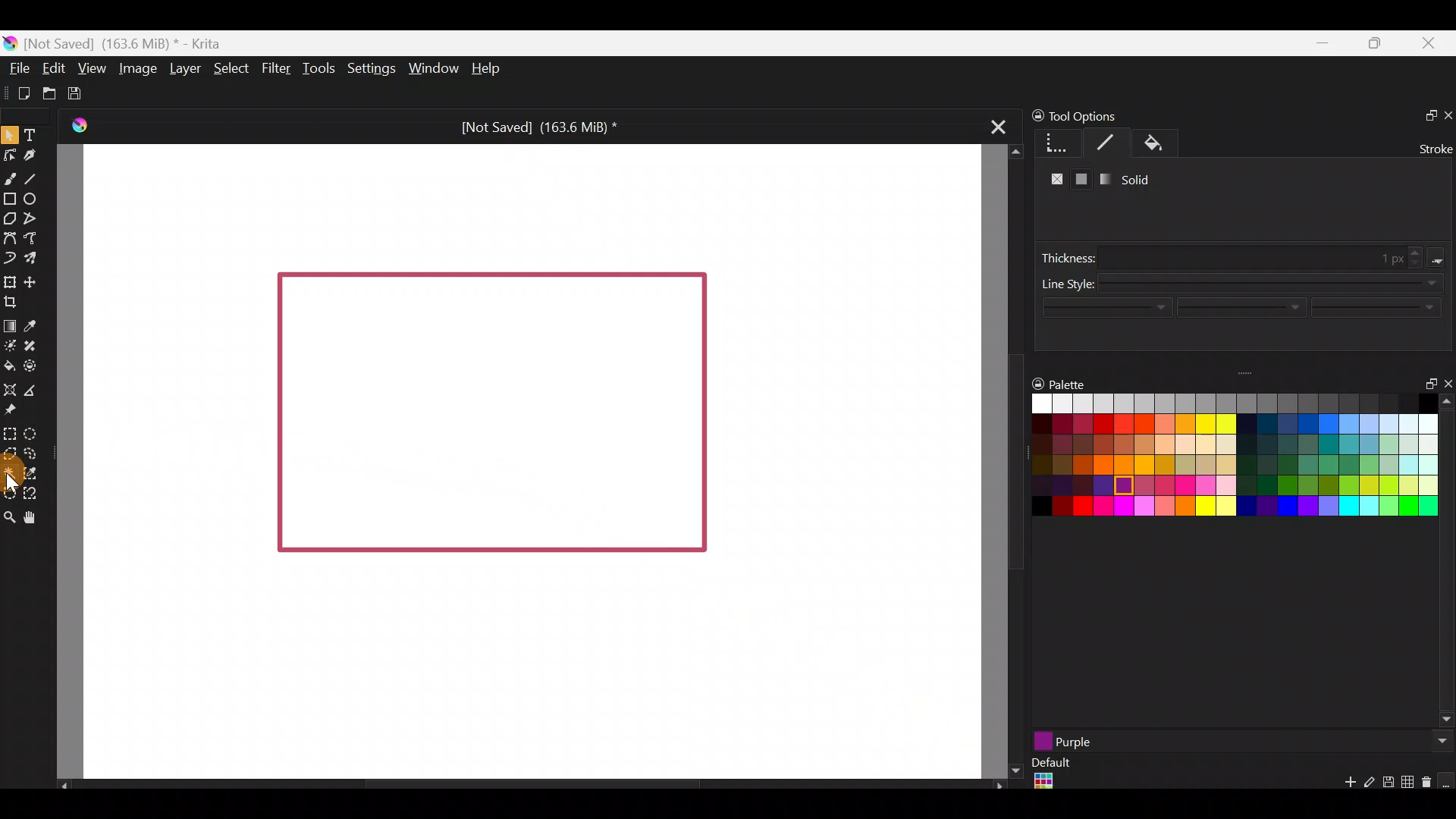 This screenshot has height=819, width=1456. What do you see at coordinates (32, 256) in the screenshot?
I see `Multibrush tool` at bounding box center [32, 256].